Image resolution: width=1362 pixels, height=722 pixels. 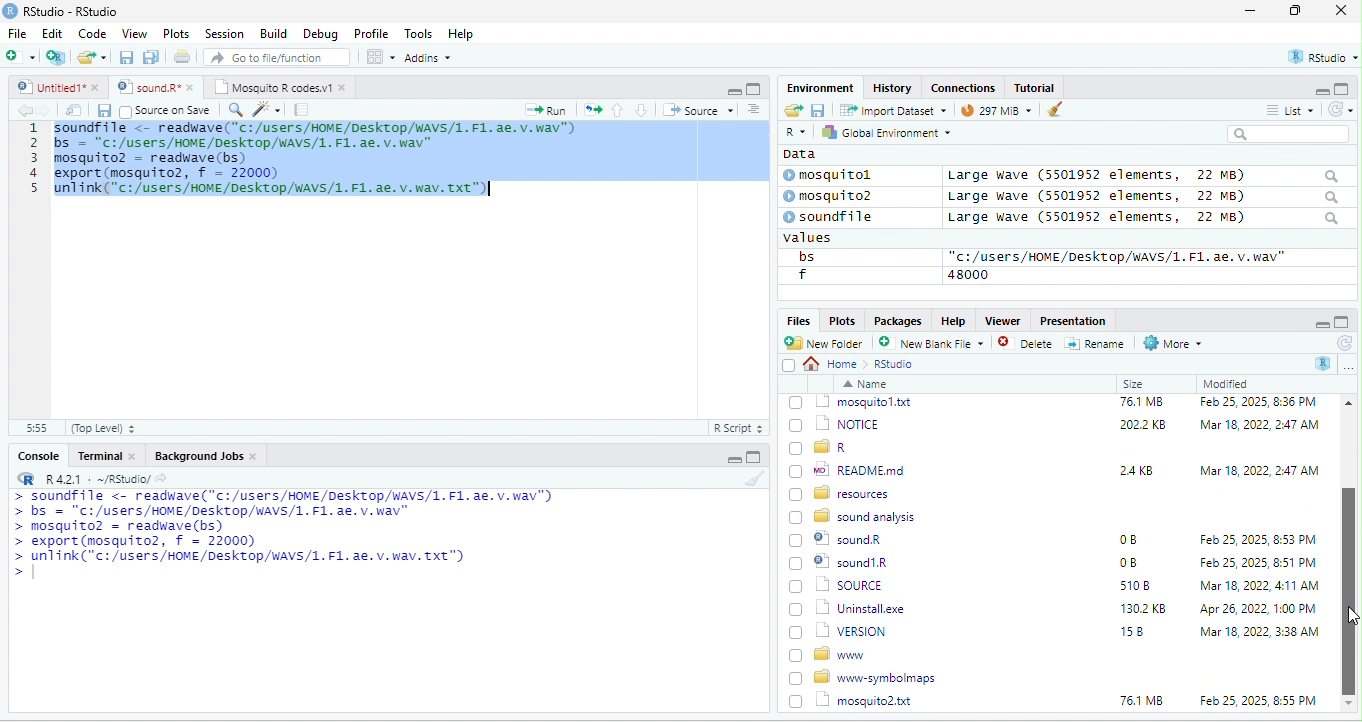 I want to click on source on Save, so click(x=167, y=112).